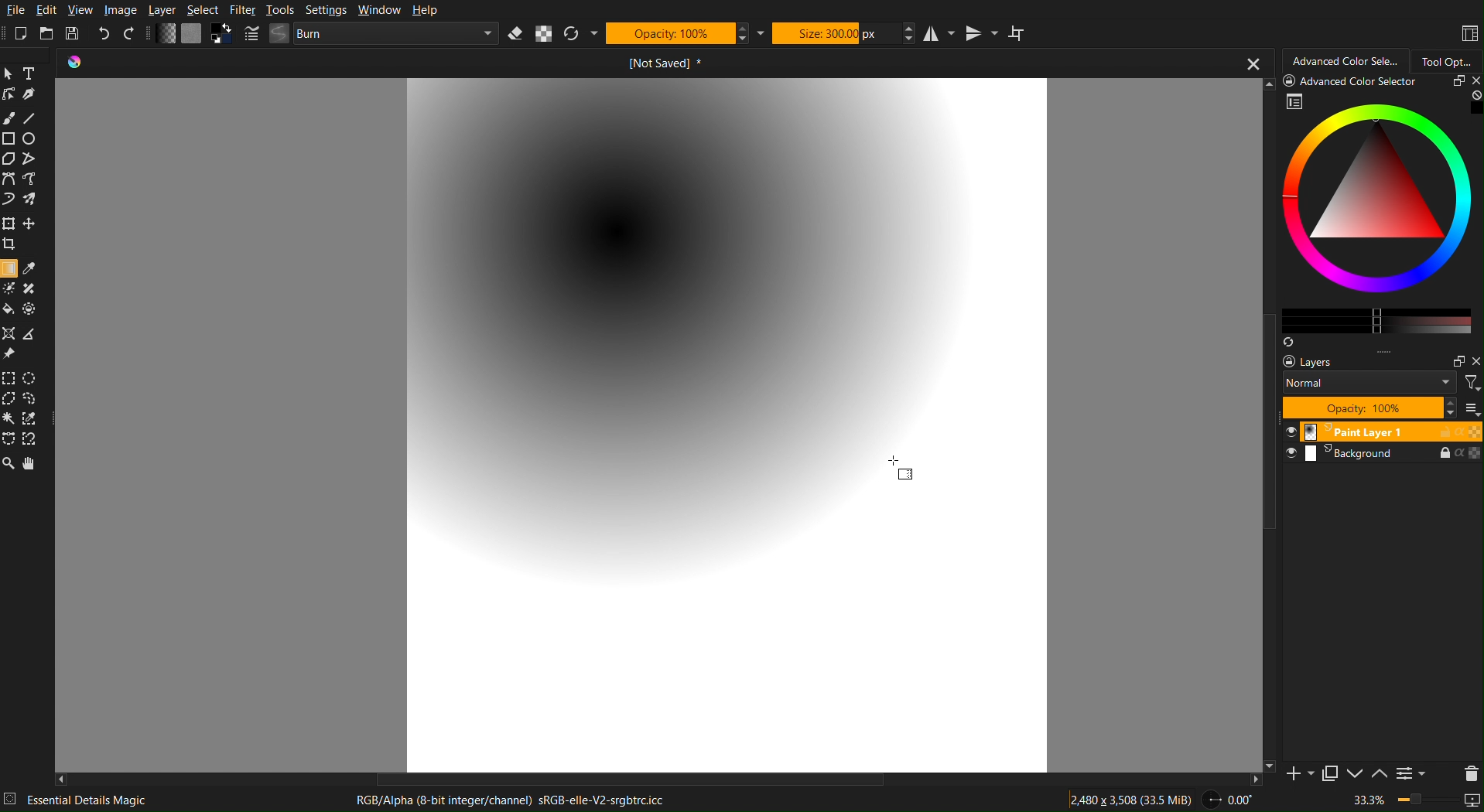  Describe the element at coordinates (34, 464) in the screenshot. I see `Move` at that location.